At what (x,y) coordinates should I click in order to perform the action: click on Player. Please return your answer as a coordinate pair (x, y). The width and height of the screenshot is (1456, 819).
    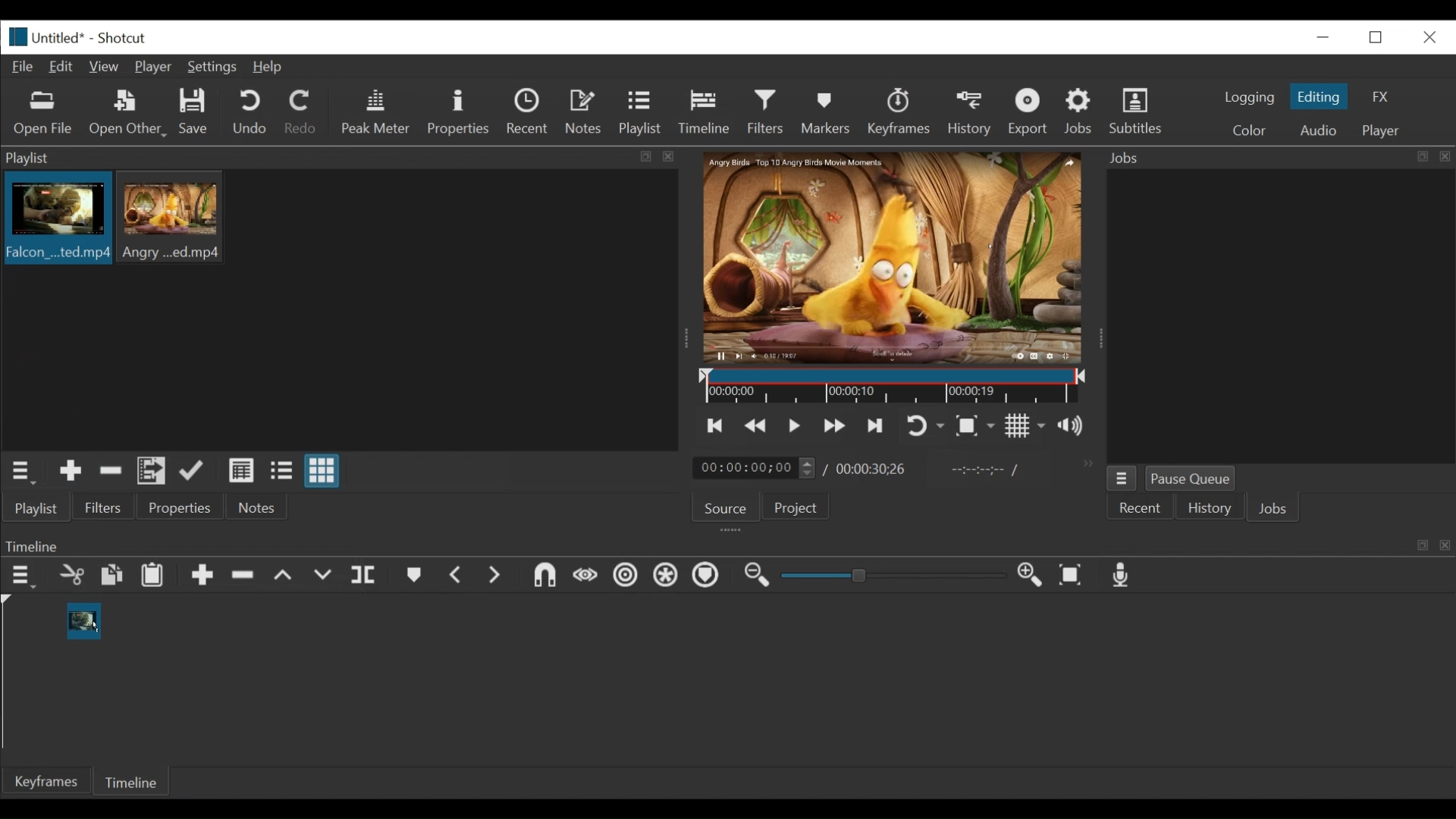
    Looking at the image, I should click on (157, 68).